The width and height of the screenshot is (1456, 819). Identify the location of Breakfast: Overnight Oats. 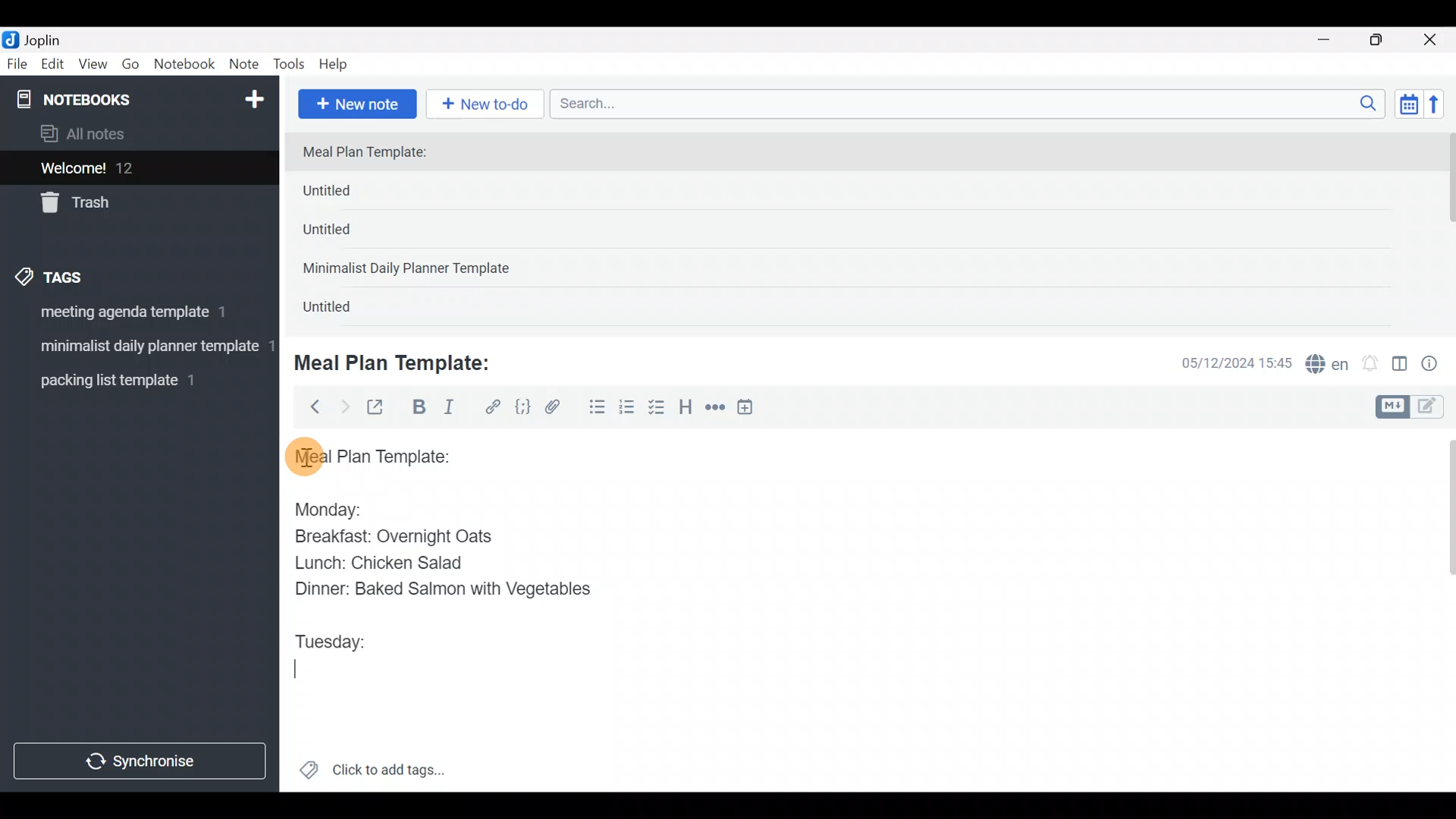
(391, 538).